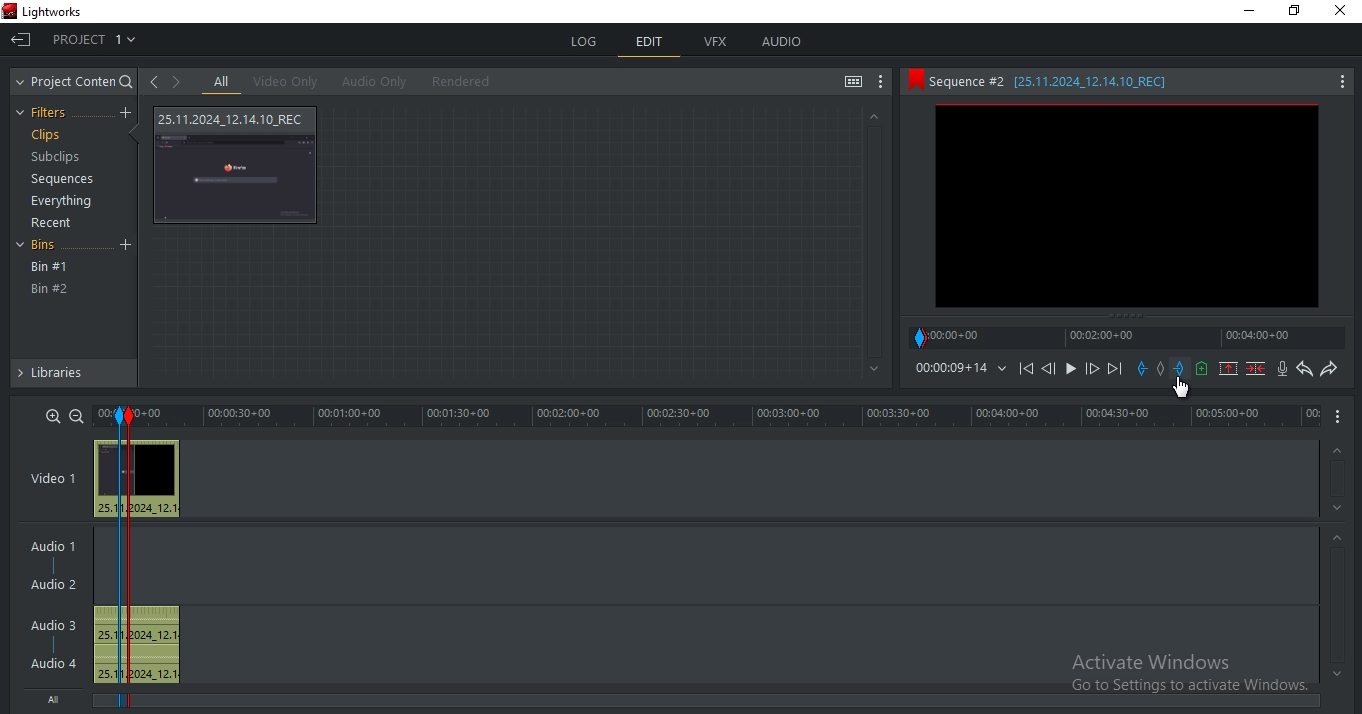 The width and height of the screenshot is (1362, 714). I want to click on mark, so click(120, 416).